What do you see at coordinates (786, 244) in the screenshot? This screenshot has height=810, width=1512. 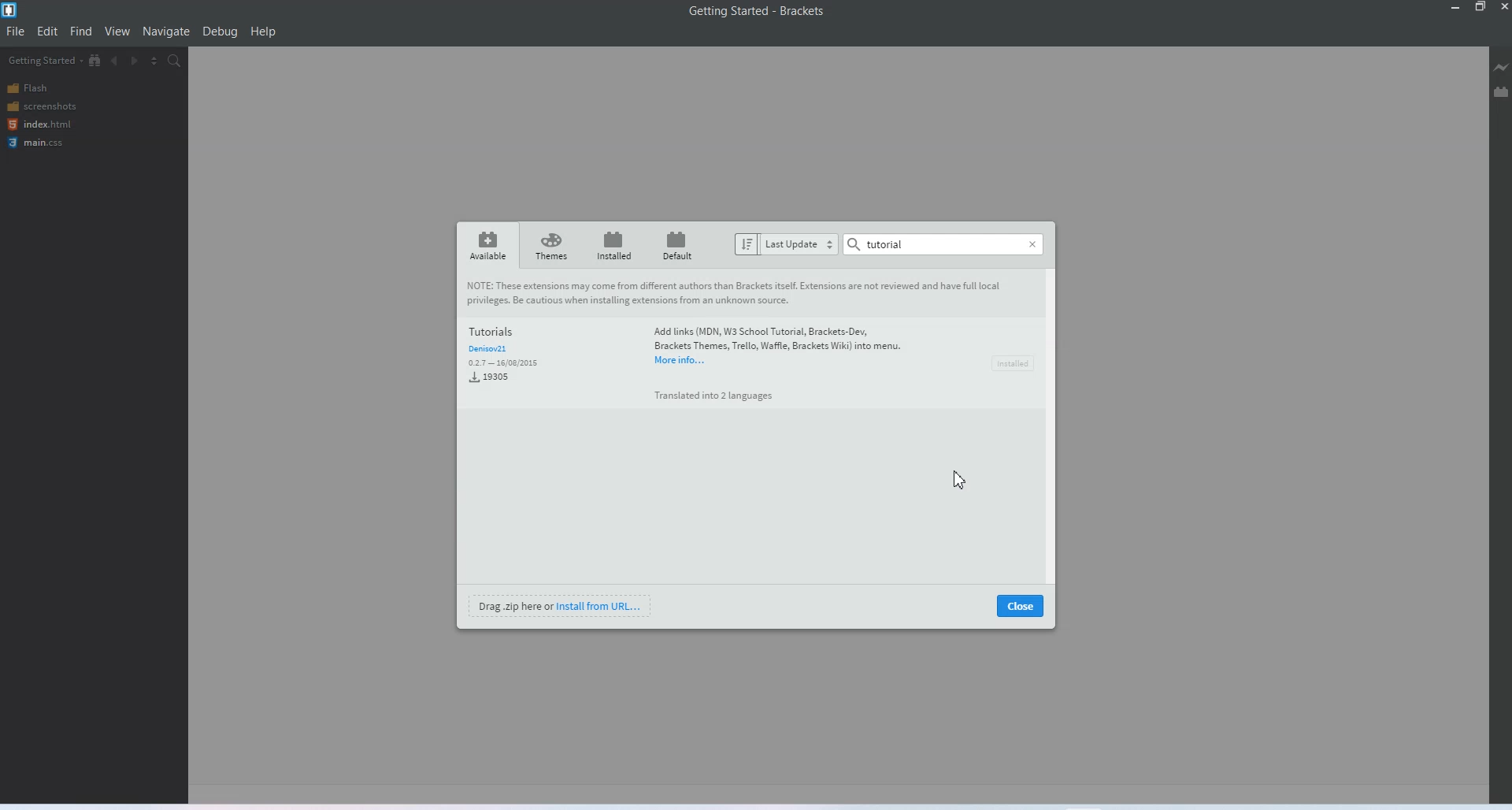 I see `Last Update` at bounding box center [786, 244].